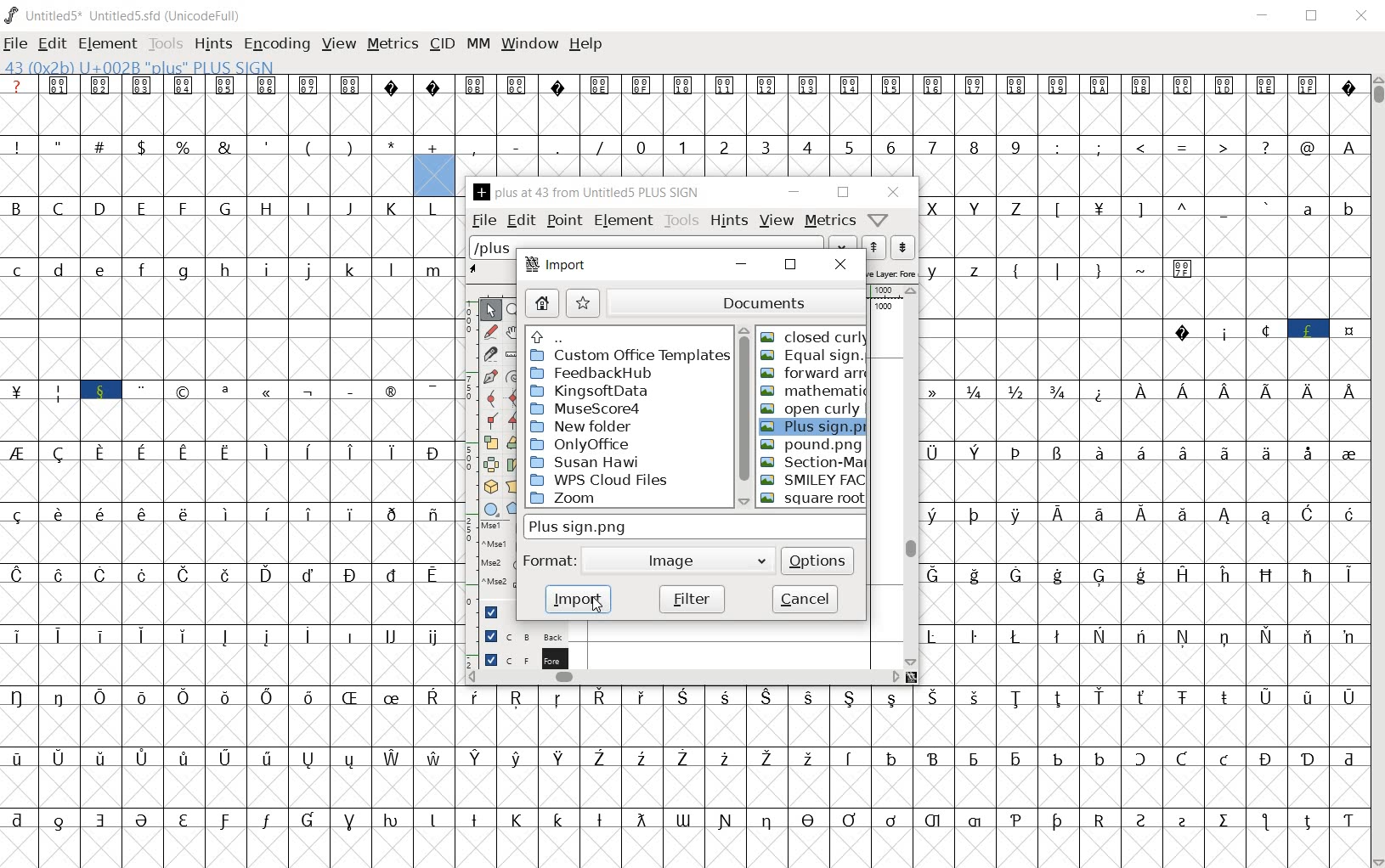 The height and width of the screenshot is (868, 1385). Describe the element at coordinates (513, 443) in the screenshot. I see `Rotate the selection` at that location.